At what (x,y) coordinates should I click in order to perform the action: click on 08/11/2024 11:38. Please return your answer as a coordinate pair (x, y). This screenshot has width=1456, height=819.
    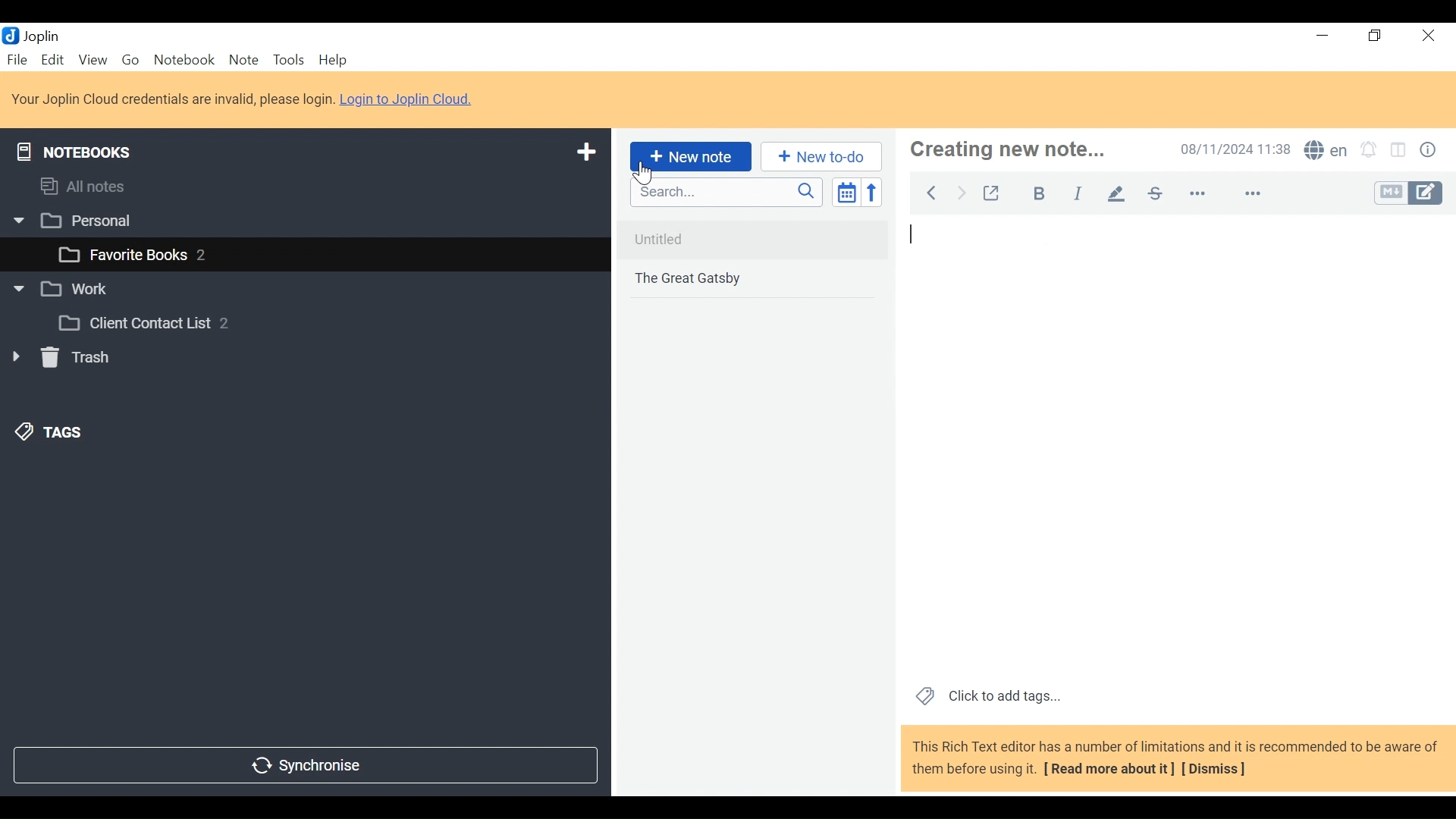
    Looking at the image, I should click on (1233, 150).